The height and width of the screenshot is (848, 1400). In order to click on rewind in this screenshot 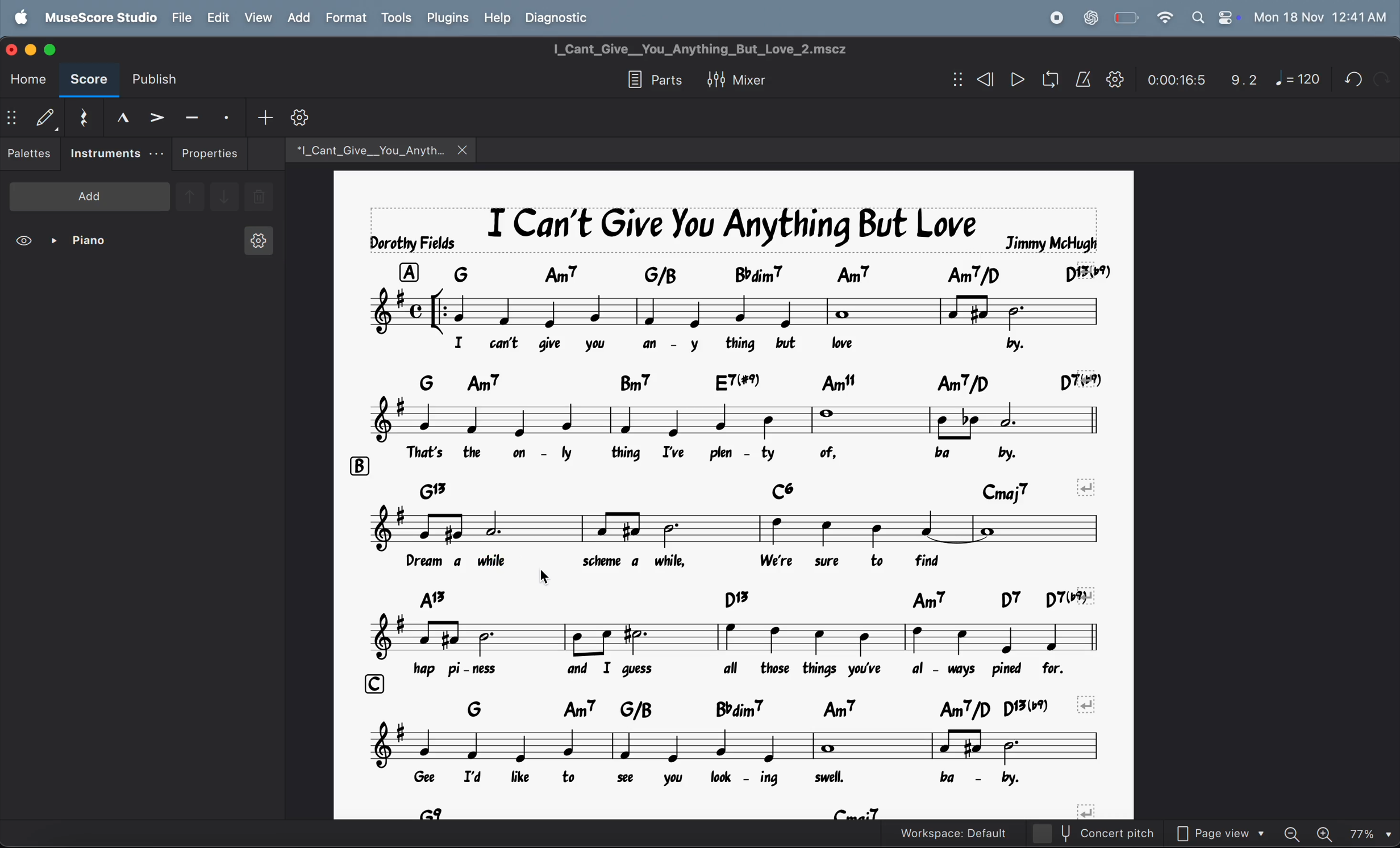, I will do `click(986, 79)`.